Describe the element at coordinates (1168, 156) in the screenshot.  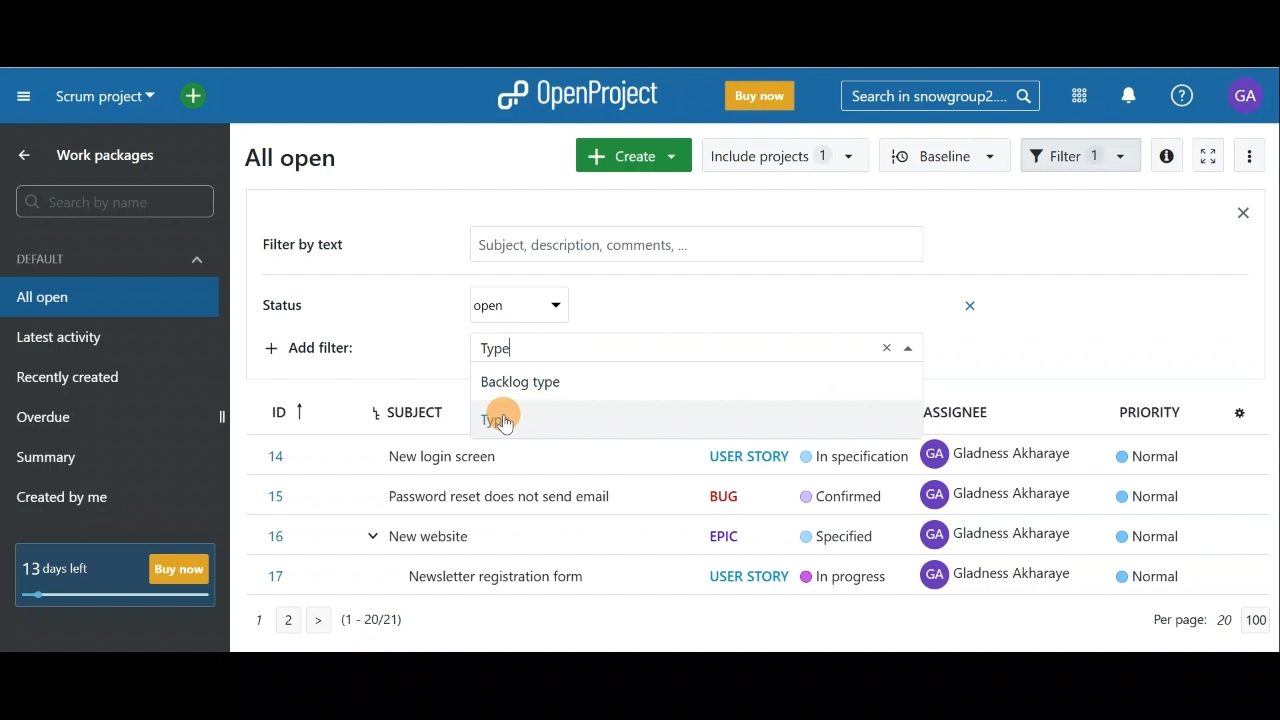
I see `Open details view` at that location.